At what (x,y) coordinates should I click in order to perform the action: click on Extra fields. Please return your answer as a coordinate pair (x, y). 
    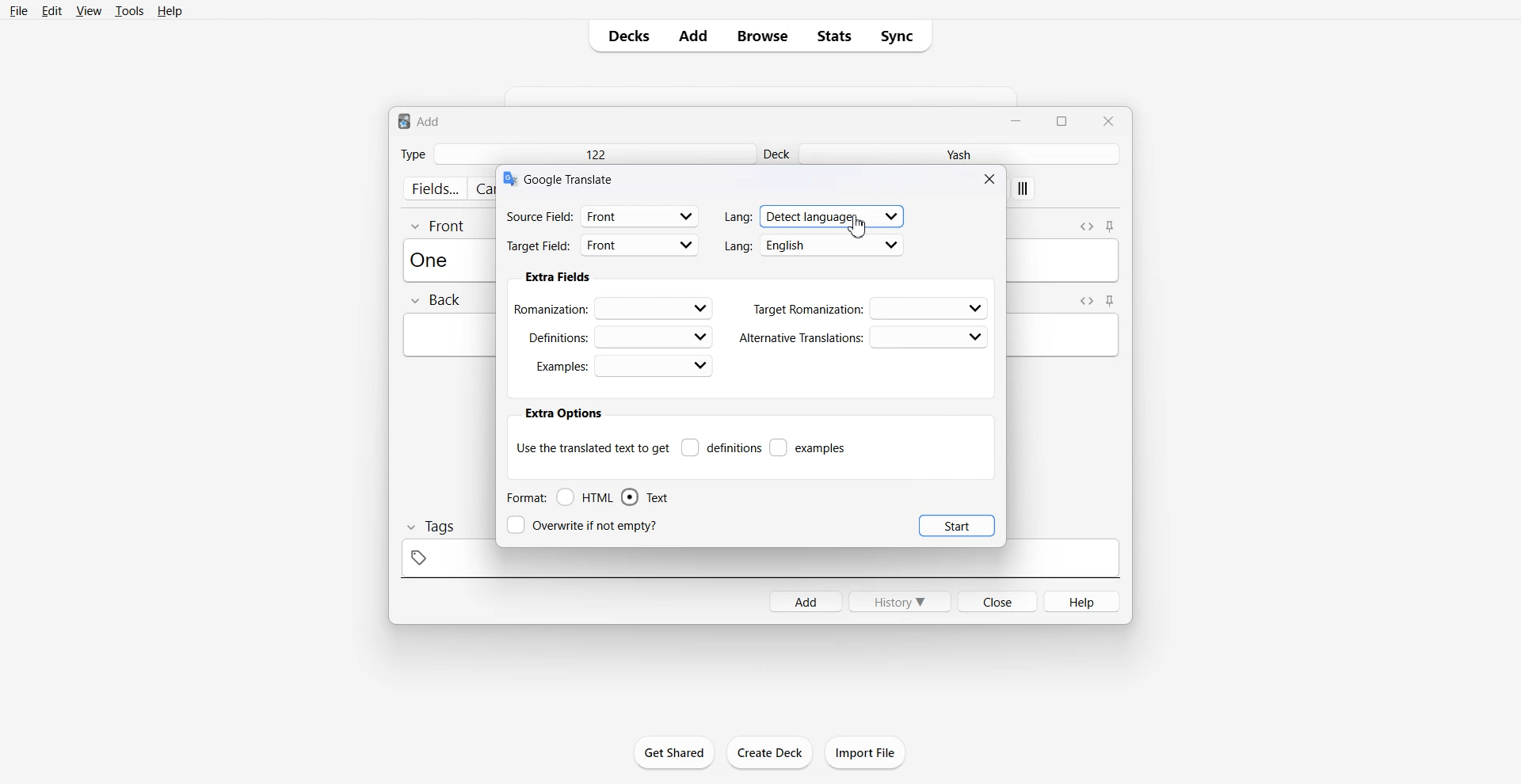
    Looking at the image, I should click on (558, 277).